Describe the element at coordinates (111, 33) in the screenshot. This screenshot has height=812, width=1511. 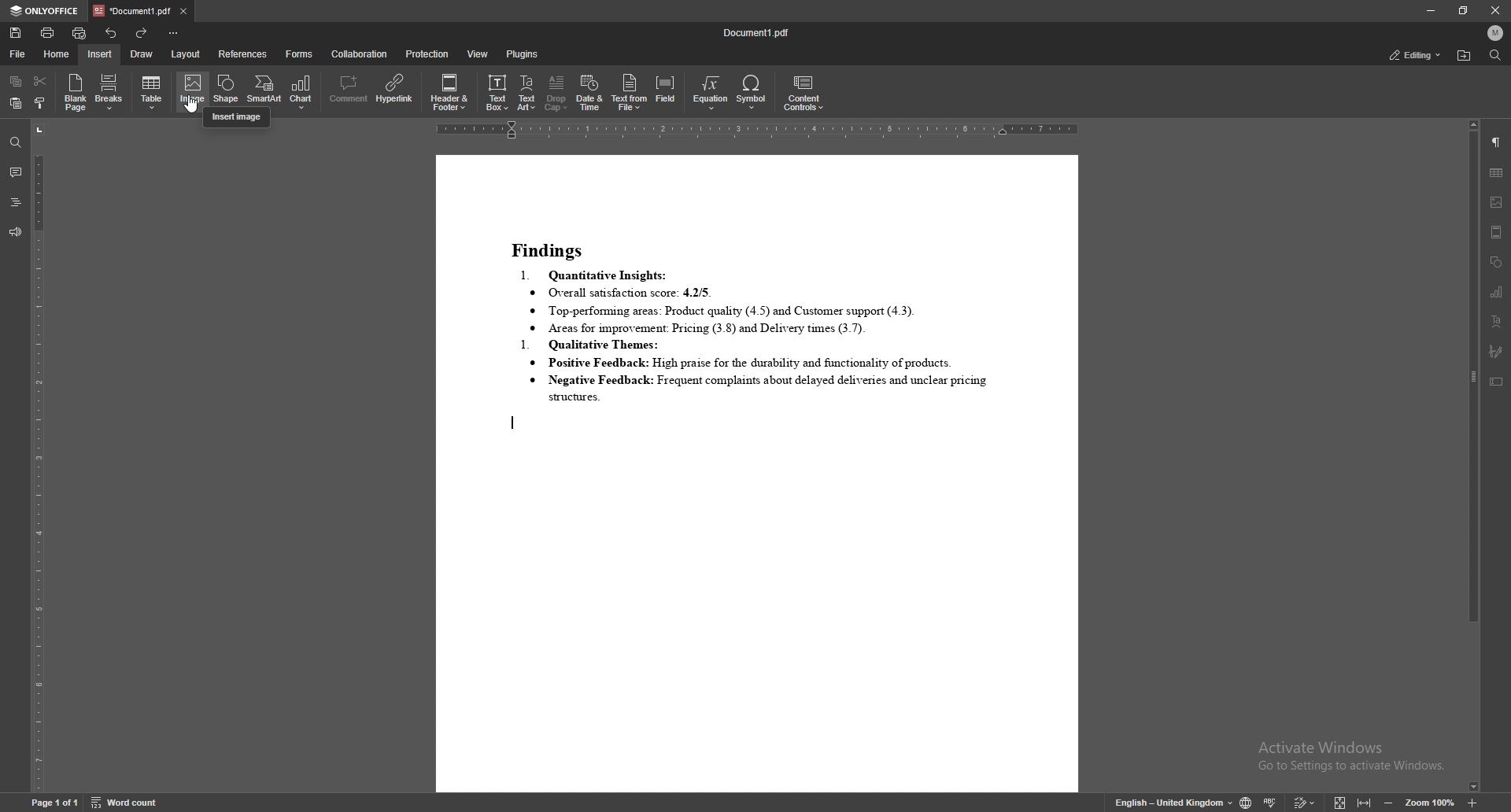
I see `undo` at that location.